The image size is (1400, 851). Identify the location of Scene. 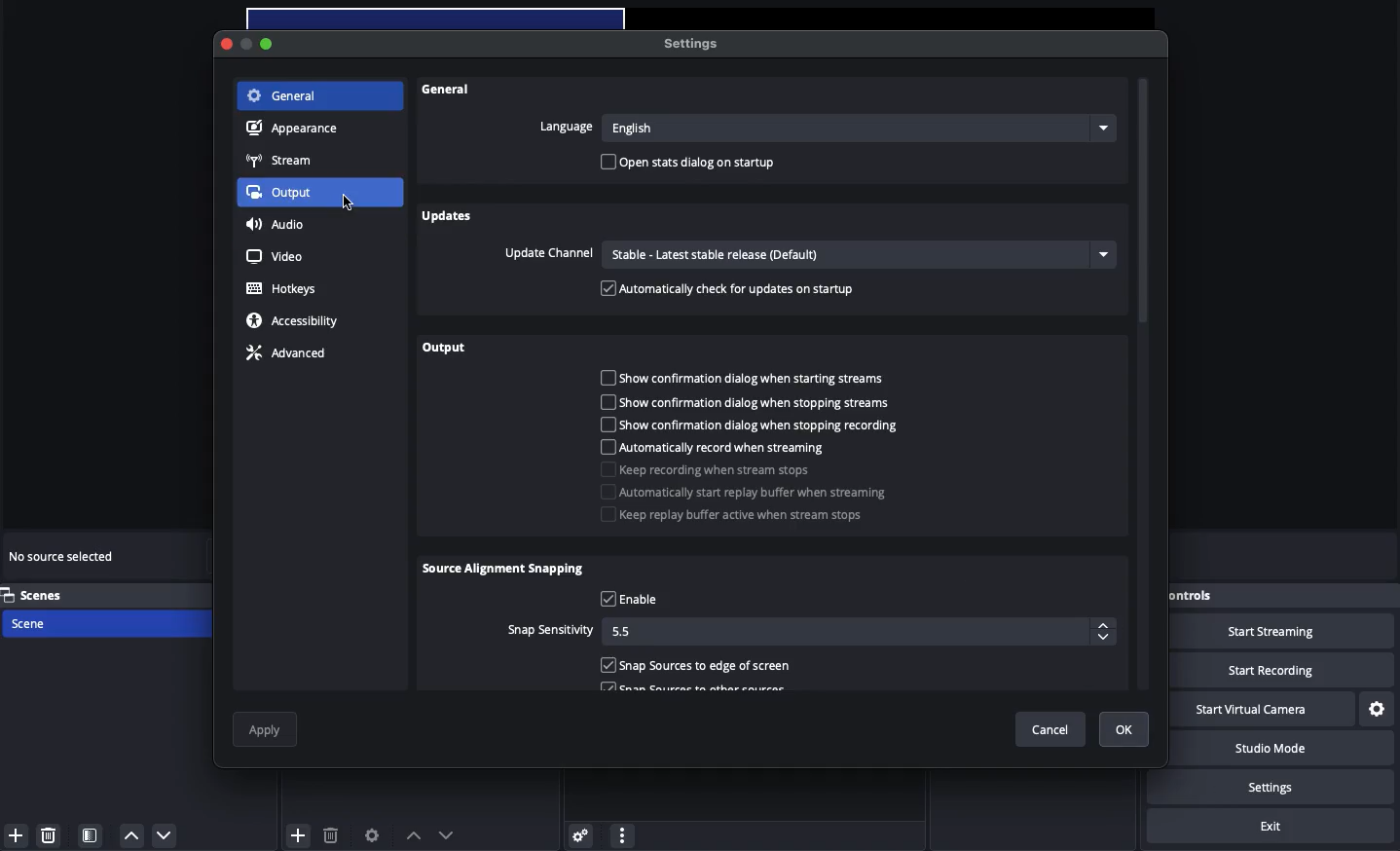
(51, 624).